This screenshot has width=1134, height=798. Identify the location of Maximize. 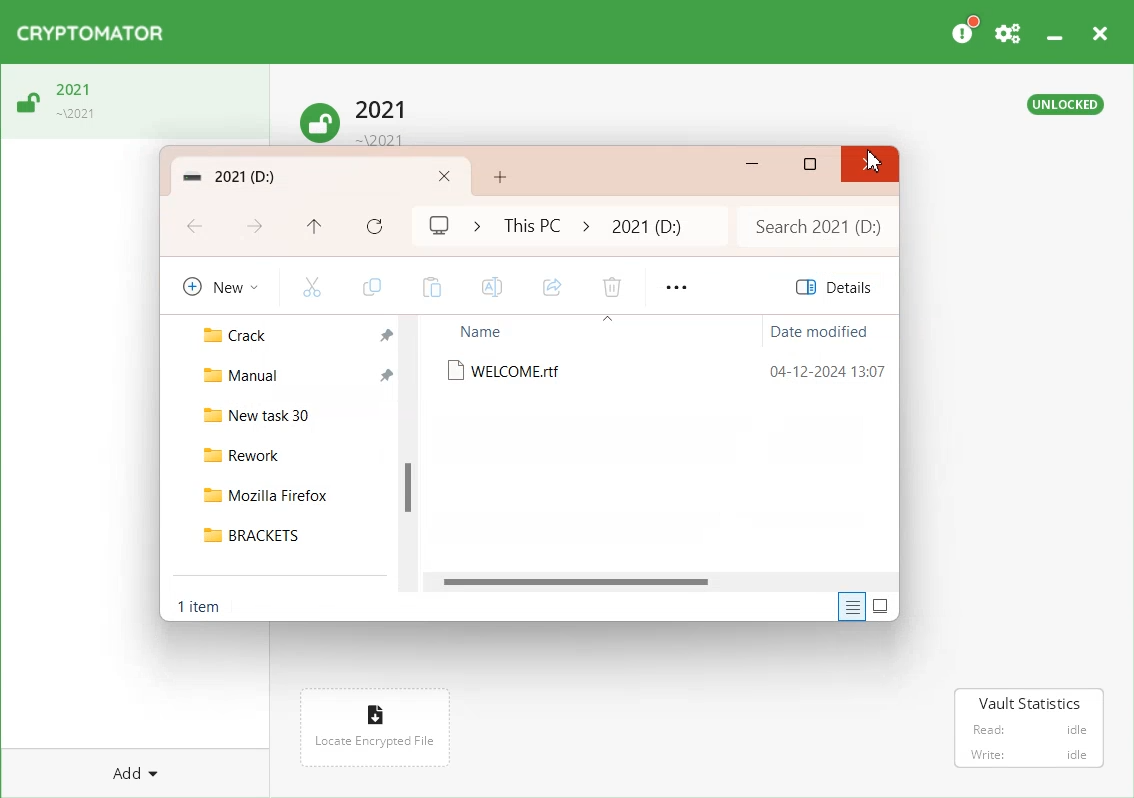
(808, 164).